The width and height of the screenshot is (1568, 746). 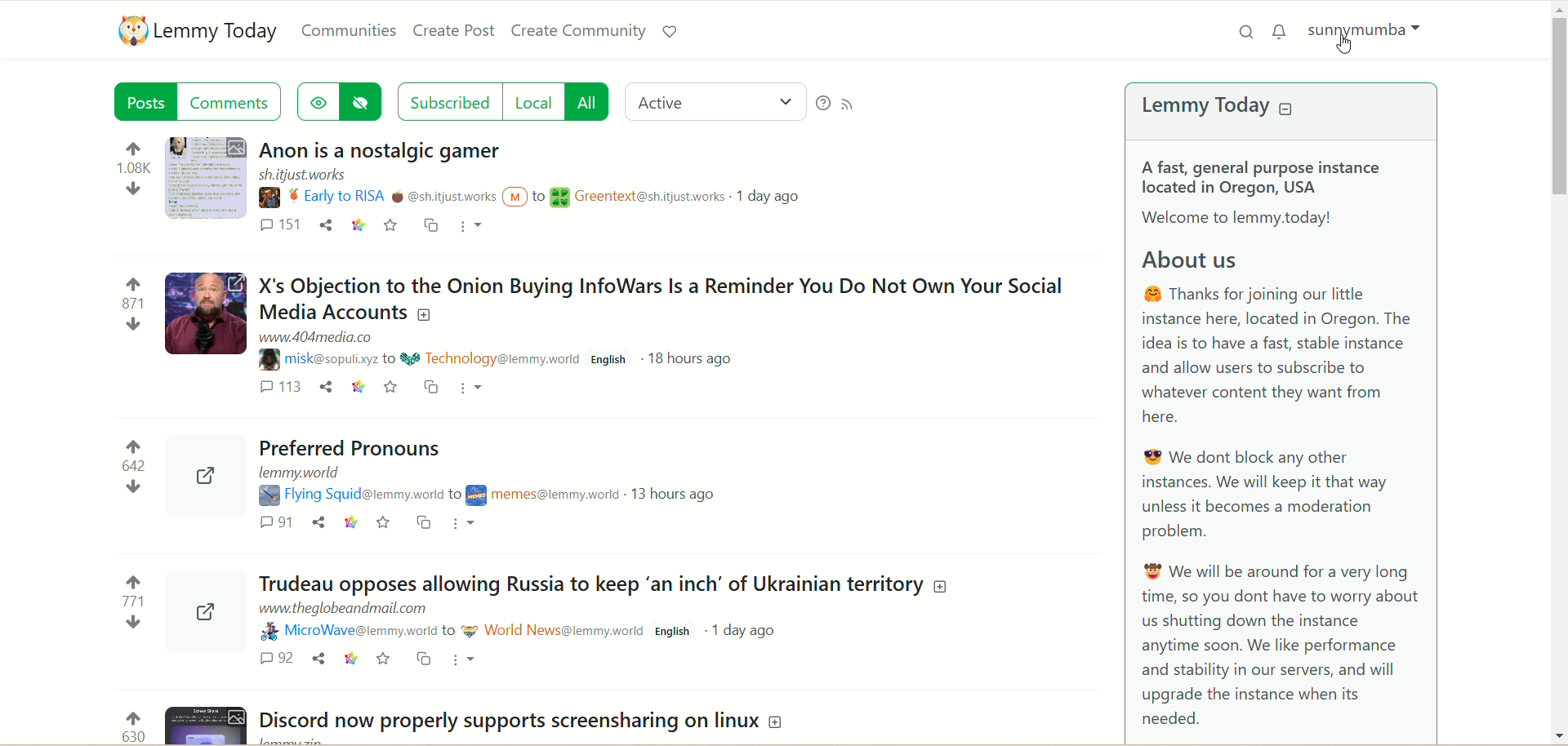 What do you see at coordinates (469, 227) in the screenshot?
I see `more` at bounding box center [469, 227].